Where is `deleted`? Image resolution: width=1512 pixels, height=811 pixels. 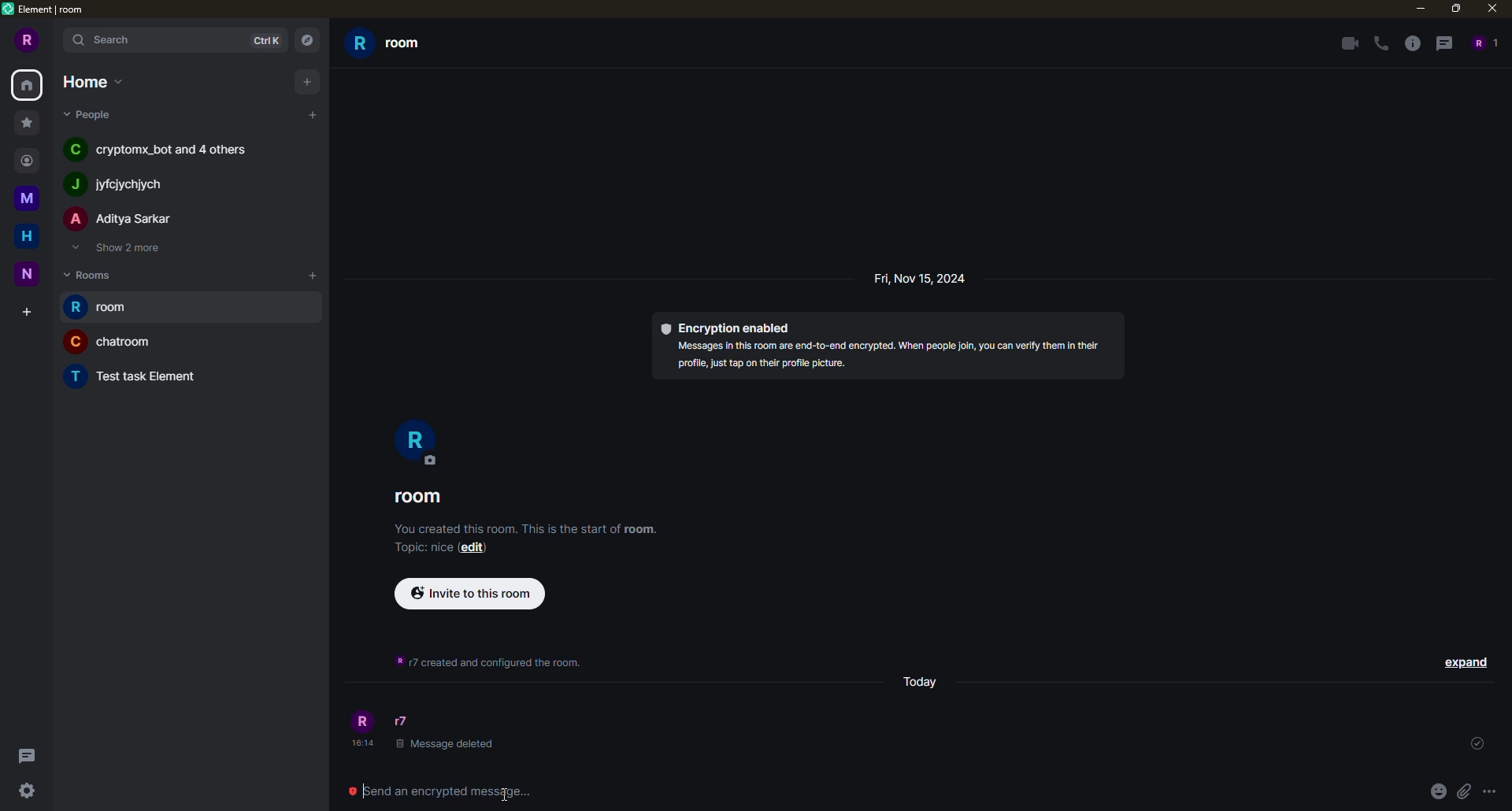
deleted is located at coordinates (444, 743).